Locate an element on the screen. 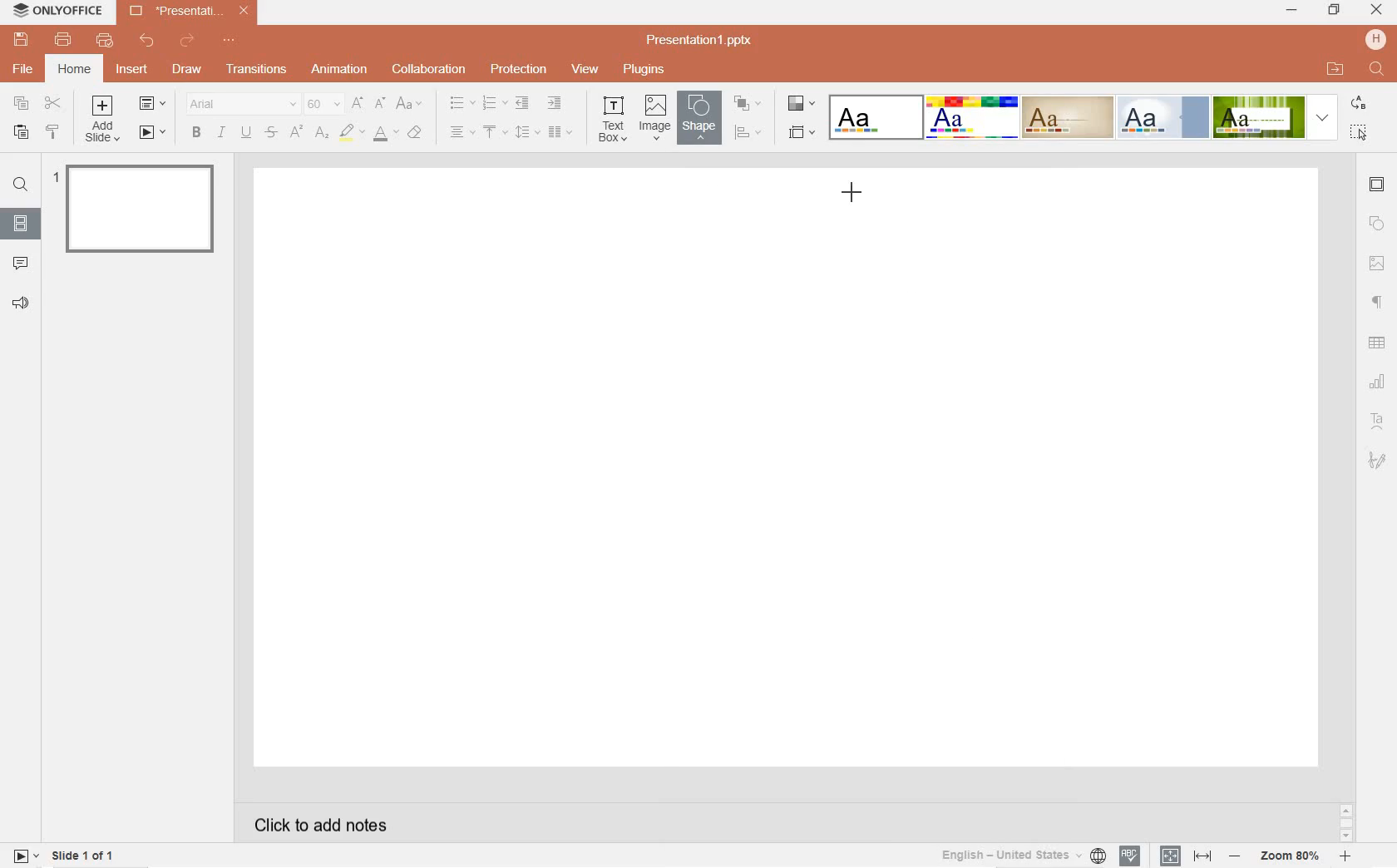  undo is located at coordinates (147, 41).